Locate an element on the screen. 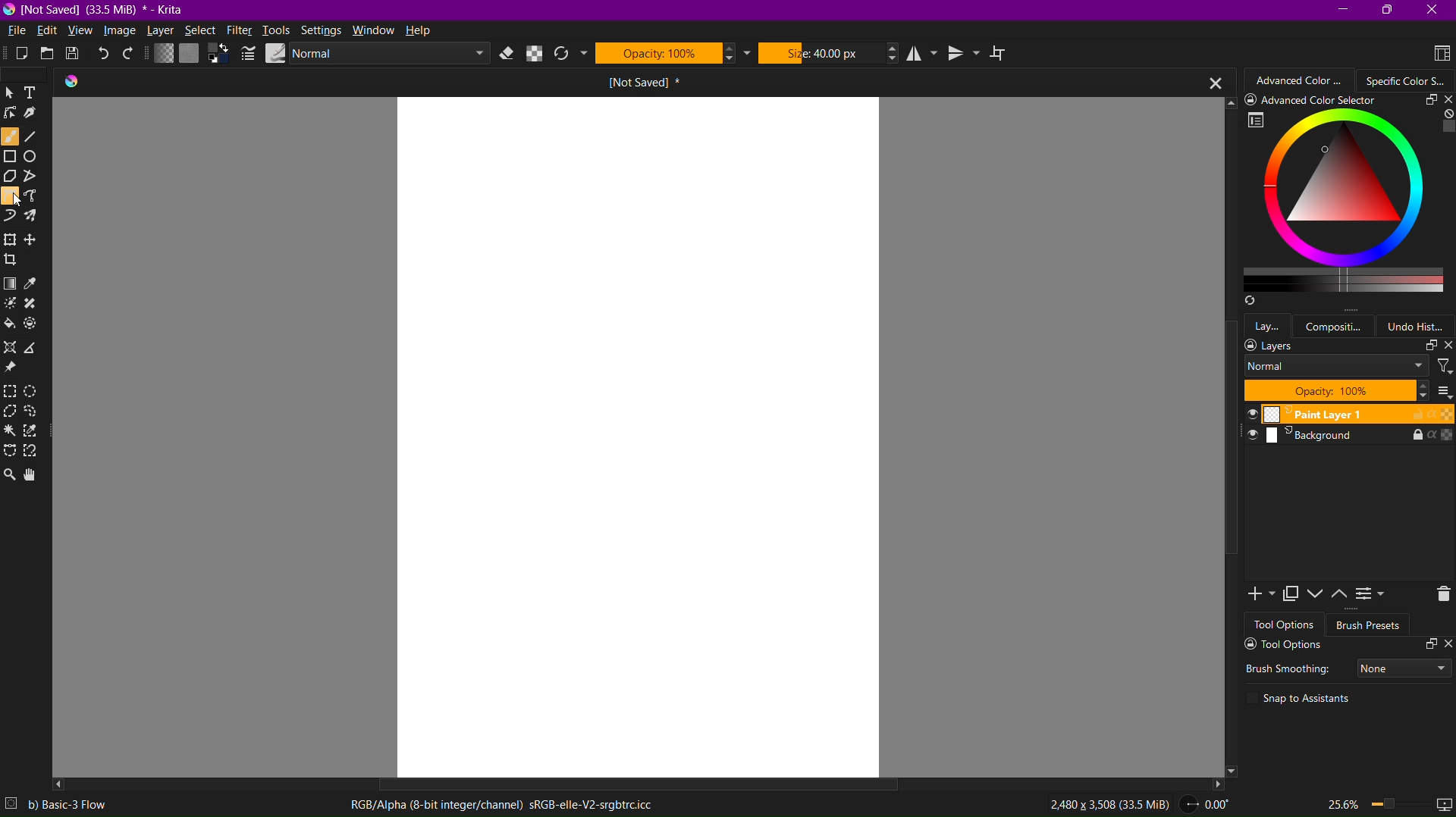  Sample a color is located at coordinates (39, 283).